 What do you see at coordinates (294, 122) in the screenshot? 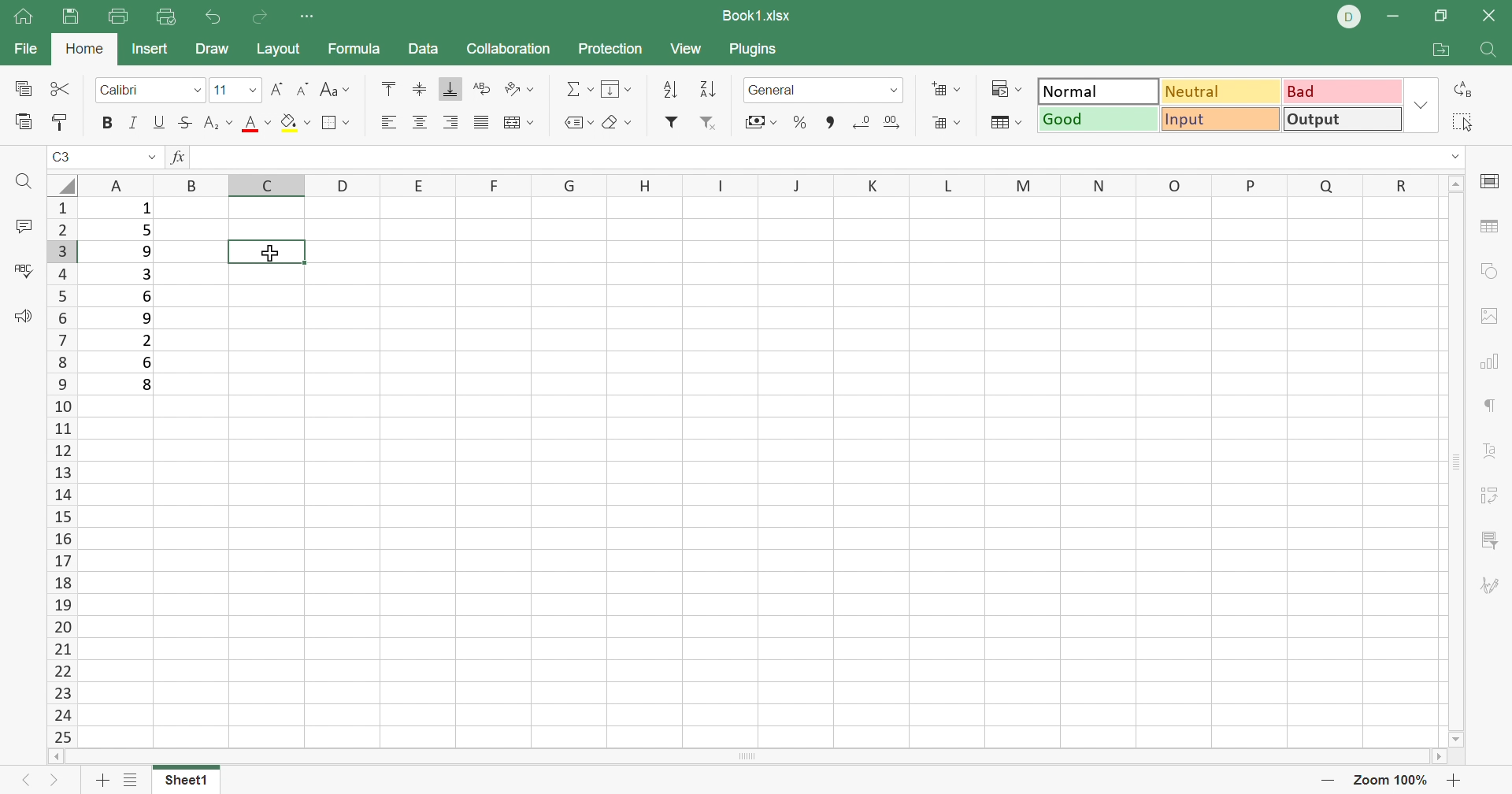
I see `Fil color` at bounding box center [294, 122].